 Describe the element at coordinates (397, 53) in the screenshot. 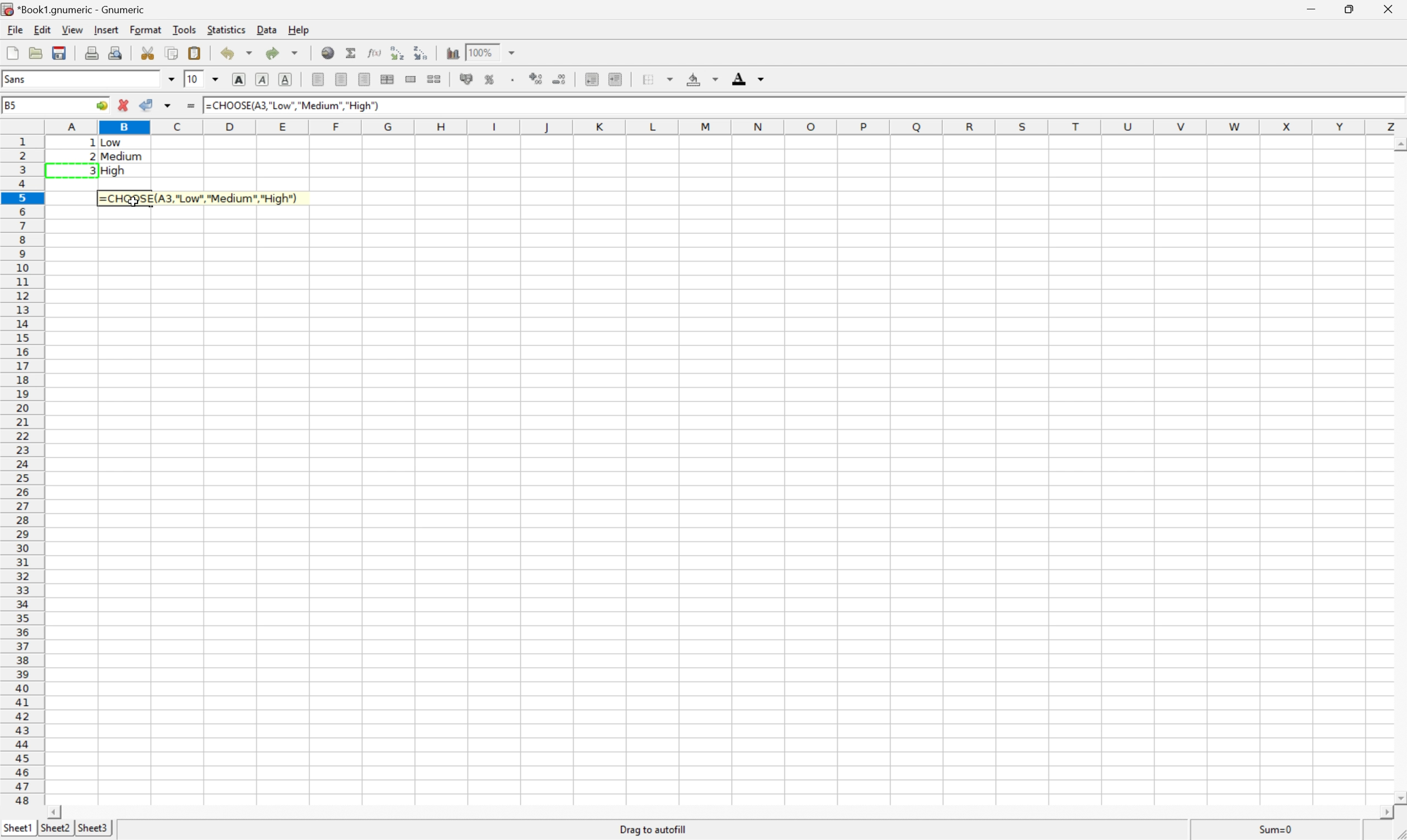

I see `Sort the selected region in ascending order based on the first column selected` at that location.